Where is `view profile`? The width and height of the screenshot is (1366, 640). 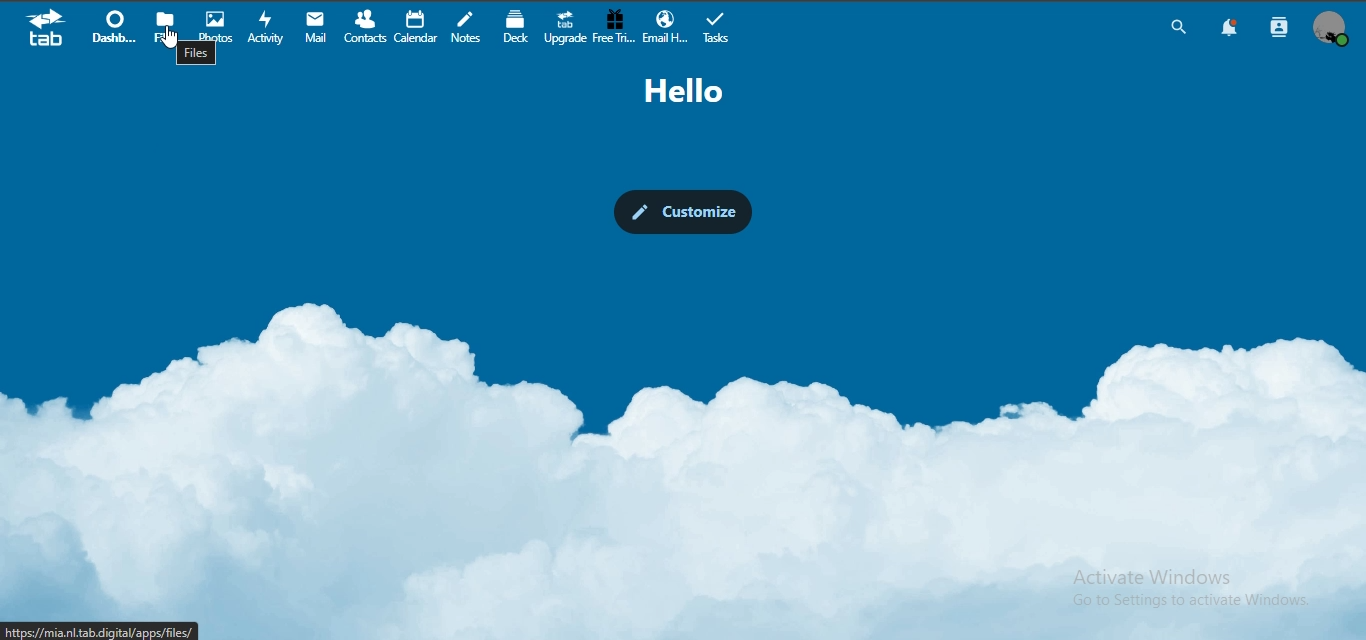
view profile is located at coordinates (1330, 30).